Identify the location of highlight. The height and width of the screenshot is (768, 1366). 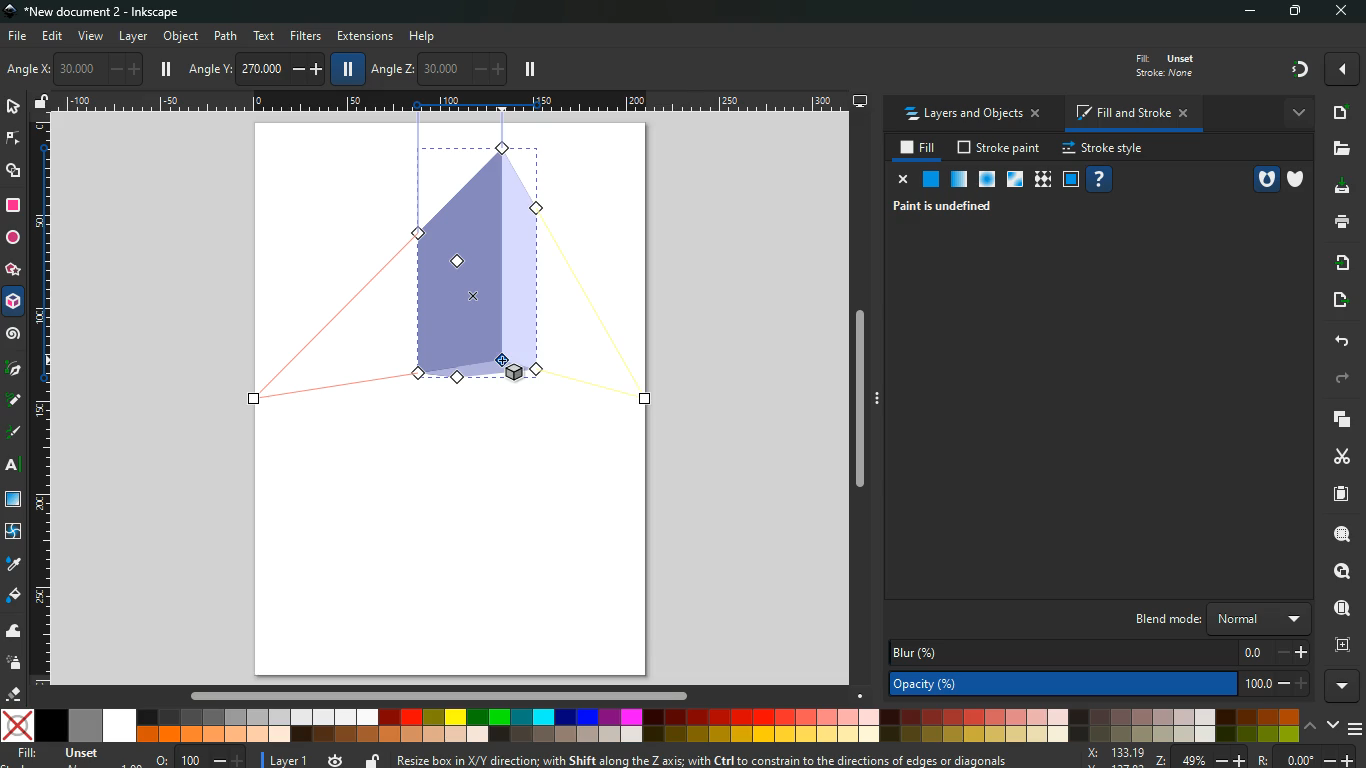
(14, 434).